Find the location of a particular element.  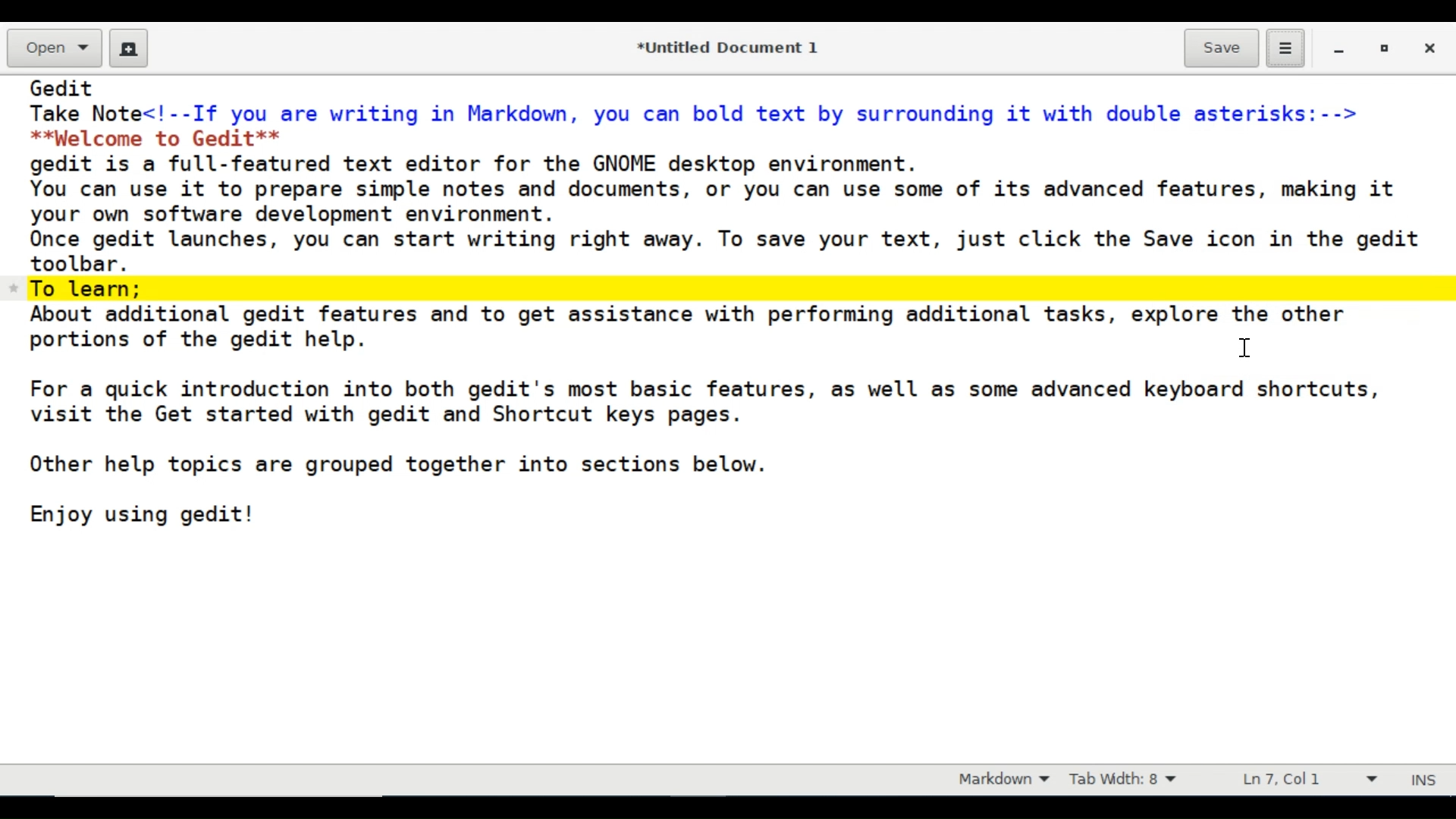

Enjoy using gedit! is located at coordinates (143, 513).